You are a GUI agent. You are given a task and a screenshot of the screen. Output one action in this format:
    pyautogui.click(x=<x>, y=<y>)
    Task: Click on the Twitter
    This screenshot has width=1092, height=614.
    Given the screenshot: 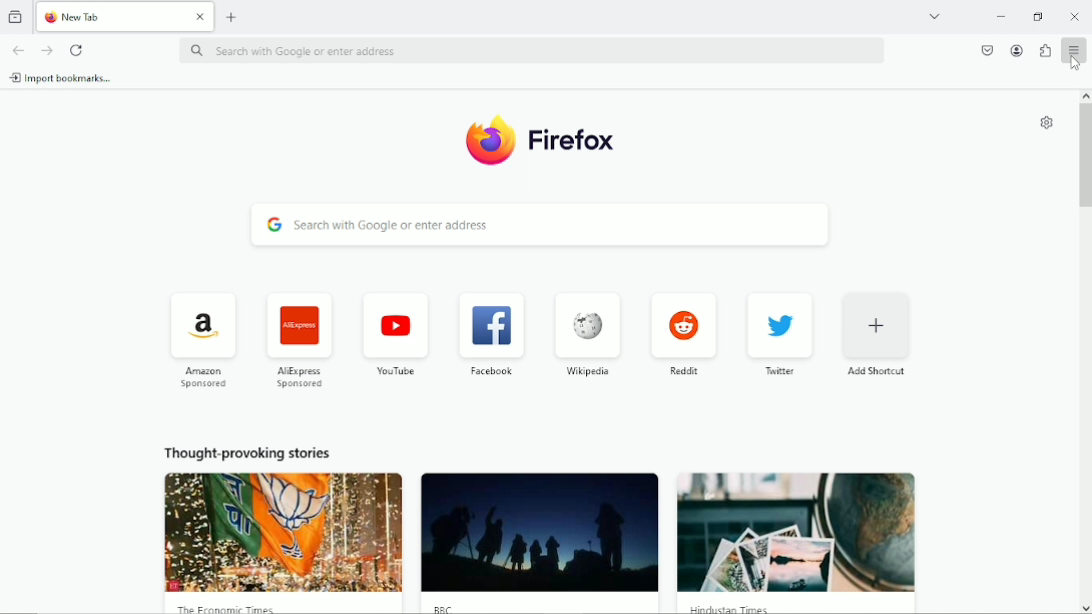 What is the action you would take?
    pyautogui.click(x=782, y=332)
    